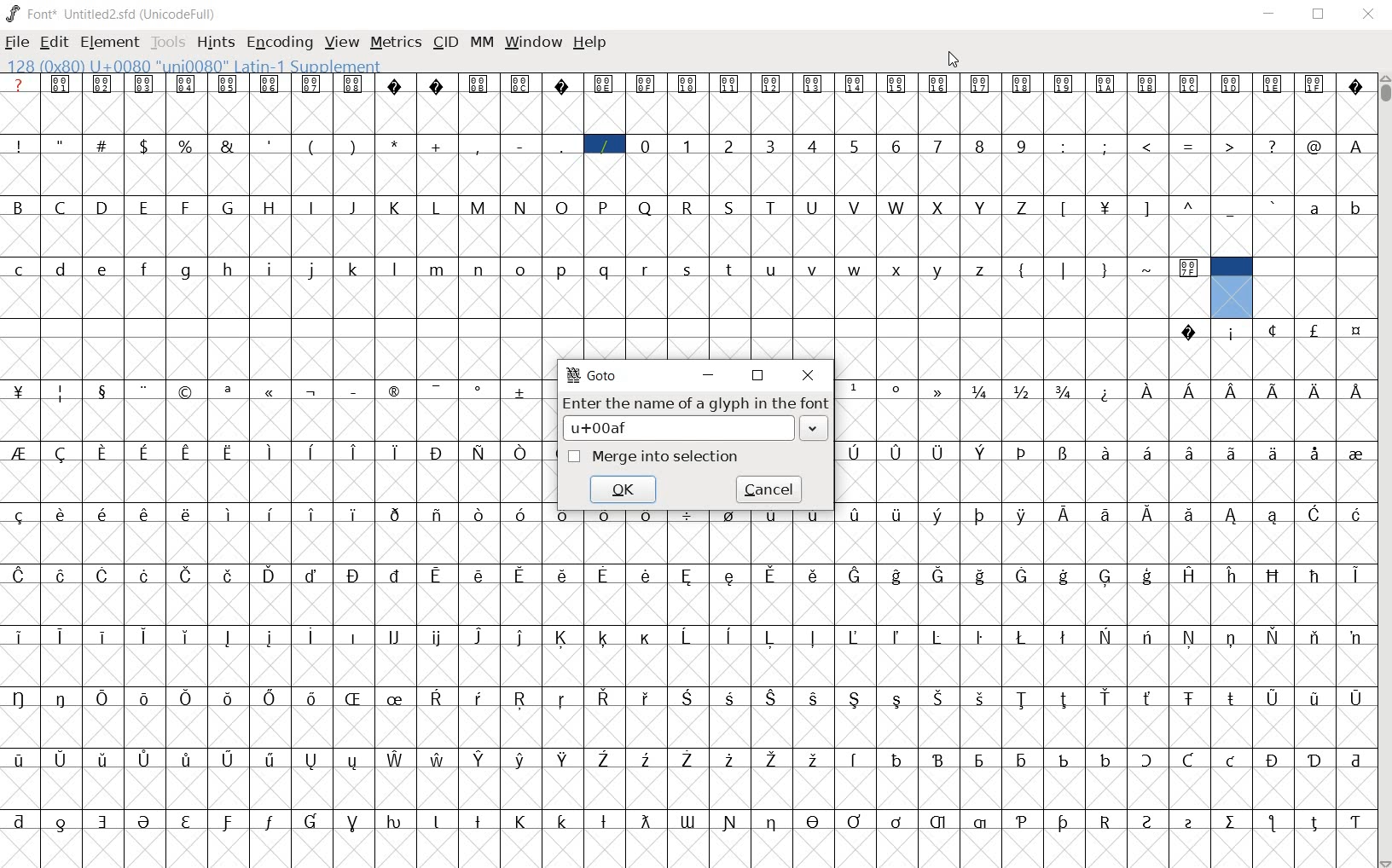 The width and height of the screenshot is (1392, 868). What do you see at coordinates (1356, 697) in the screenshot?
I see `Symbol` at bounding box center [1356, 697].